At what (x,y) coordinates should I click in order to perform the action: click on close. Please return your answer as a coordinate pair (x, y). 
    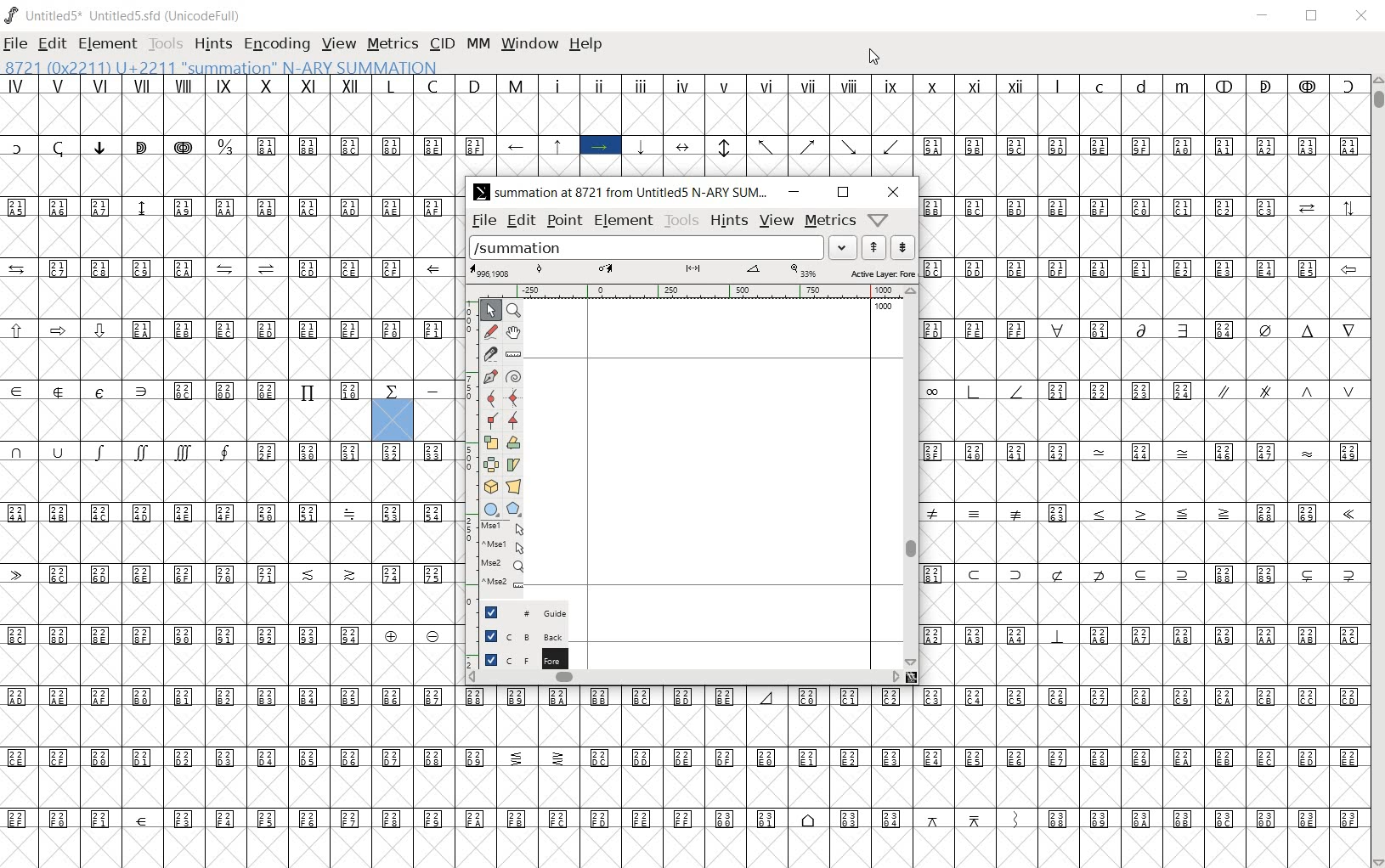
    Looking at the image, I should click on (892, 192).